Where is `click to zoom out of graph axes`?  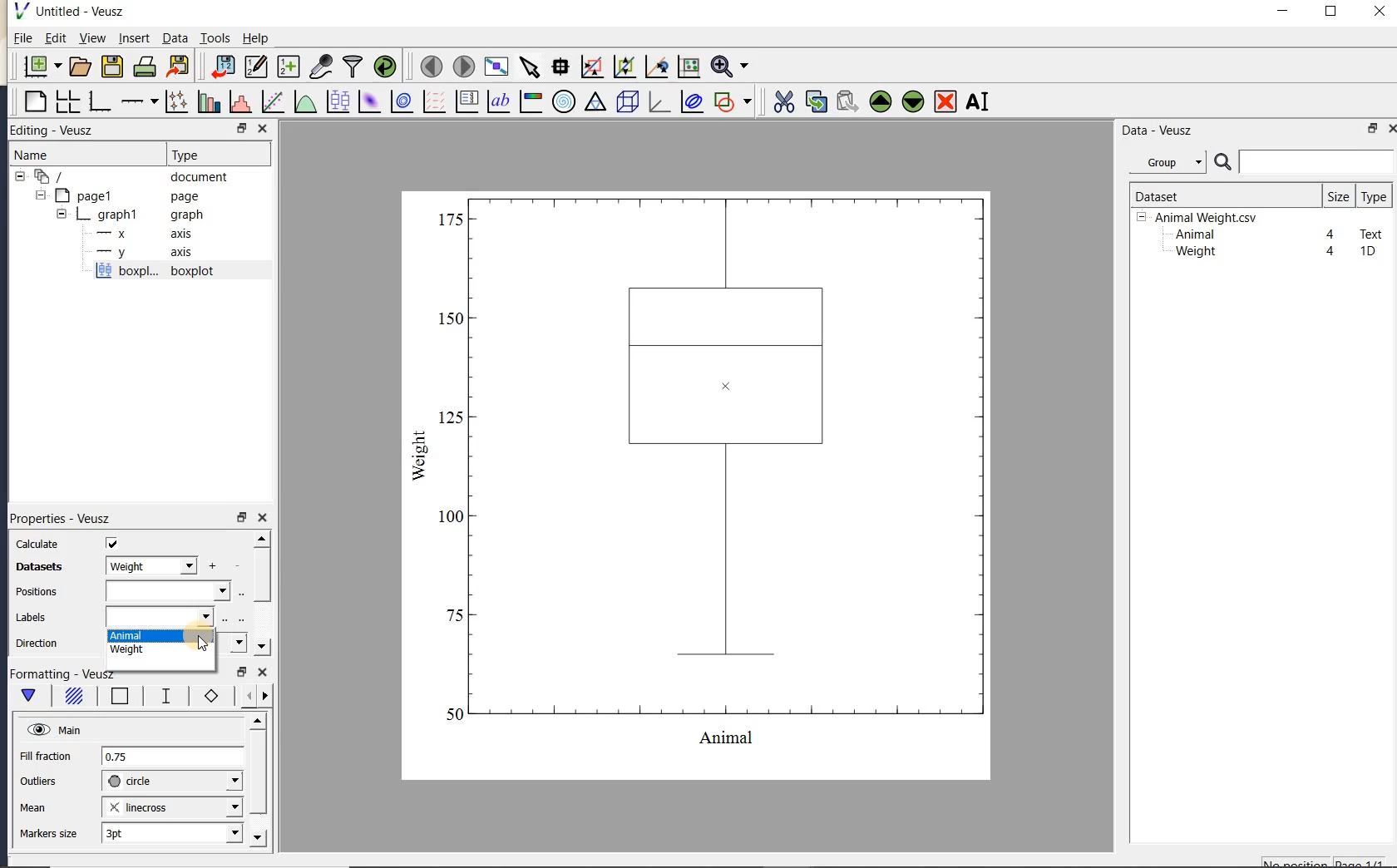
click to zoom out of graph axes is located at coordinates (625, 66).